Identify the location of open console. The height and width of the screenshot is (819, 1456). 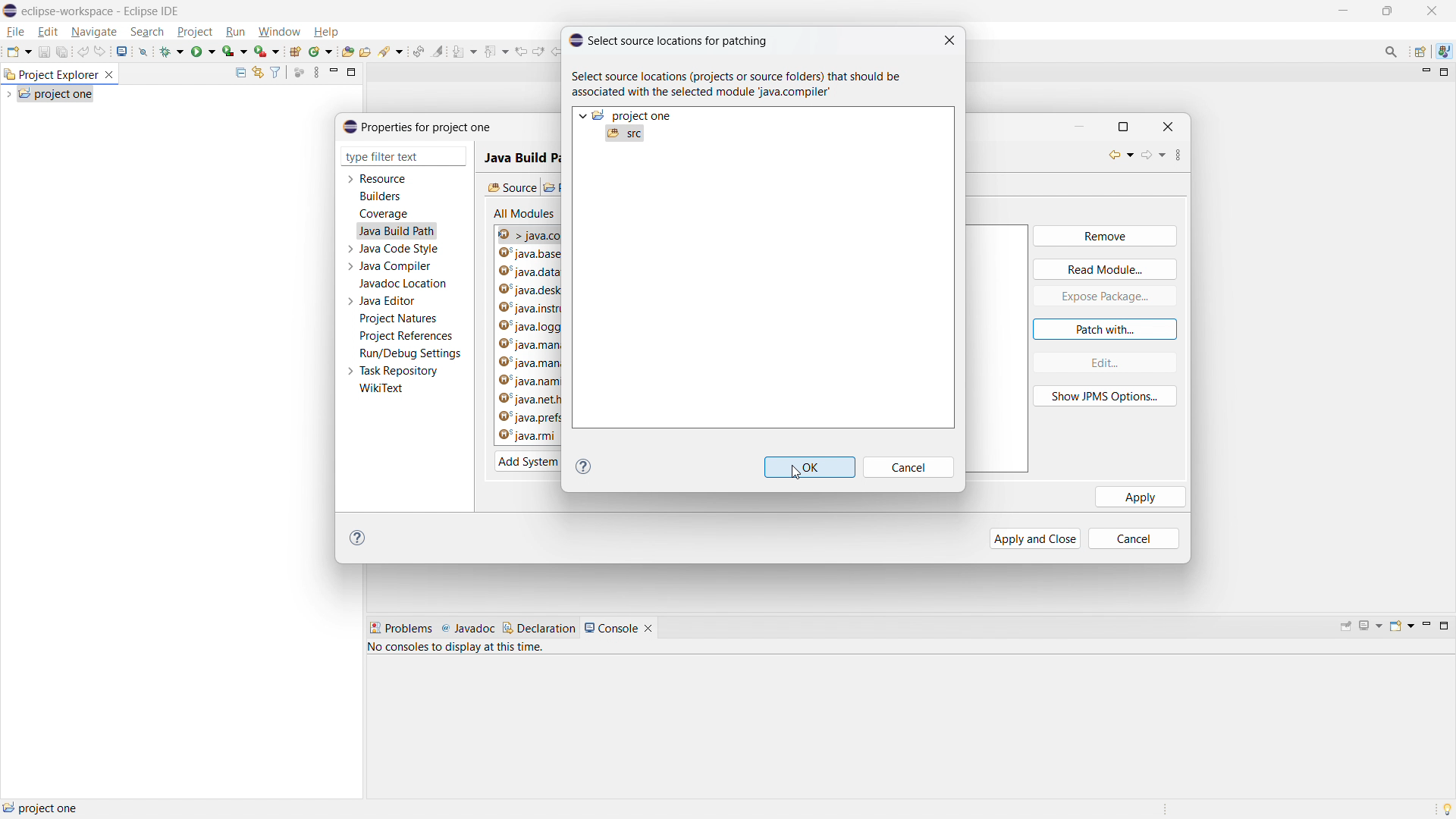
(1401, 626).